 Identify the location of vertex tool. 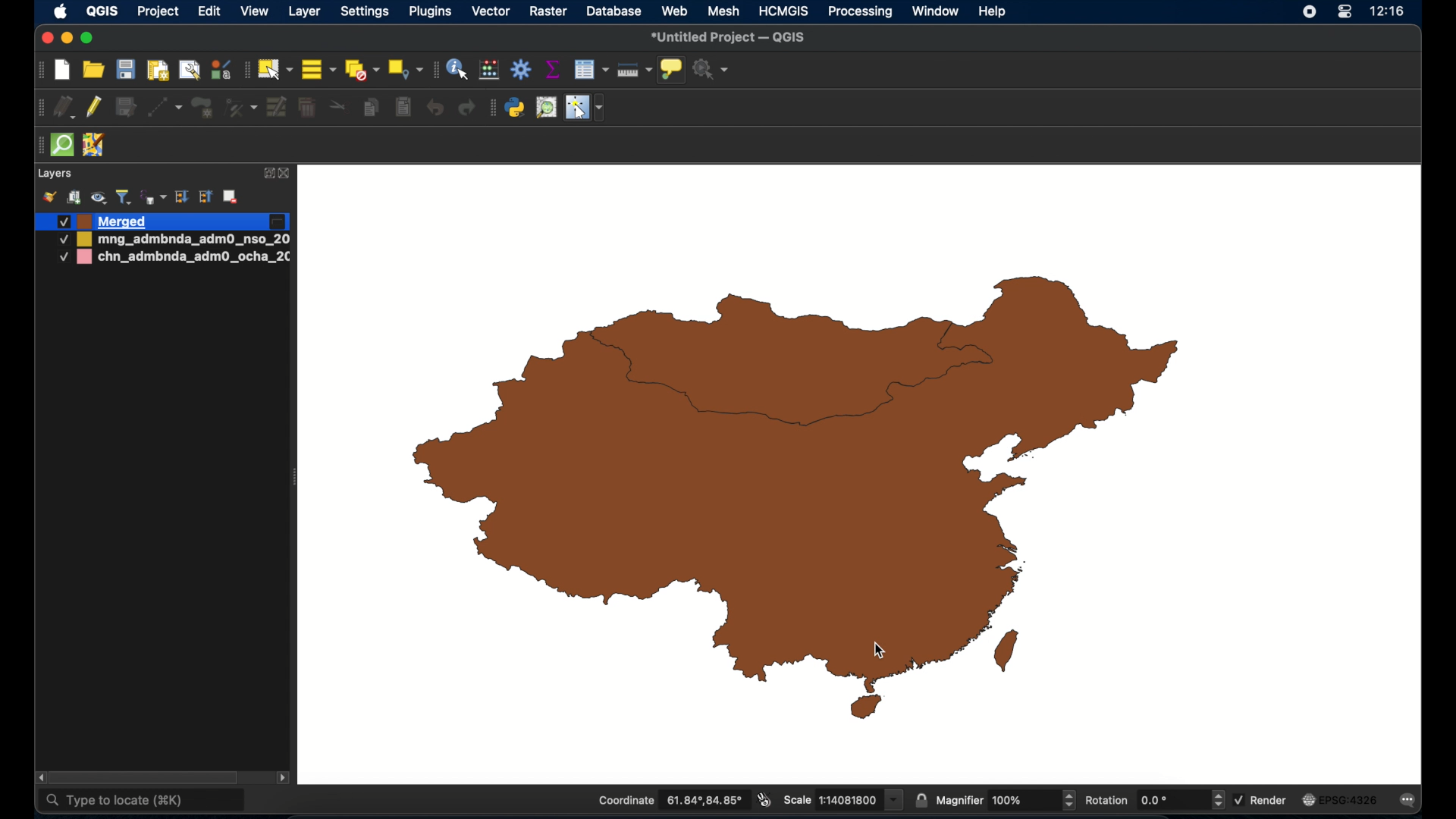
(240, 106).